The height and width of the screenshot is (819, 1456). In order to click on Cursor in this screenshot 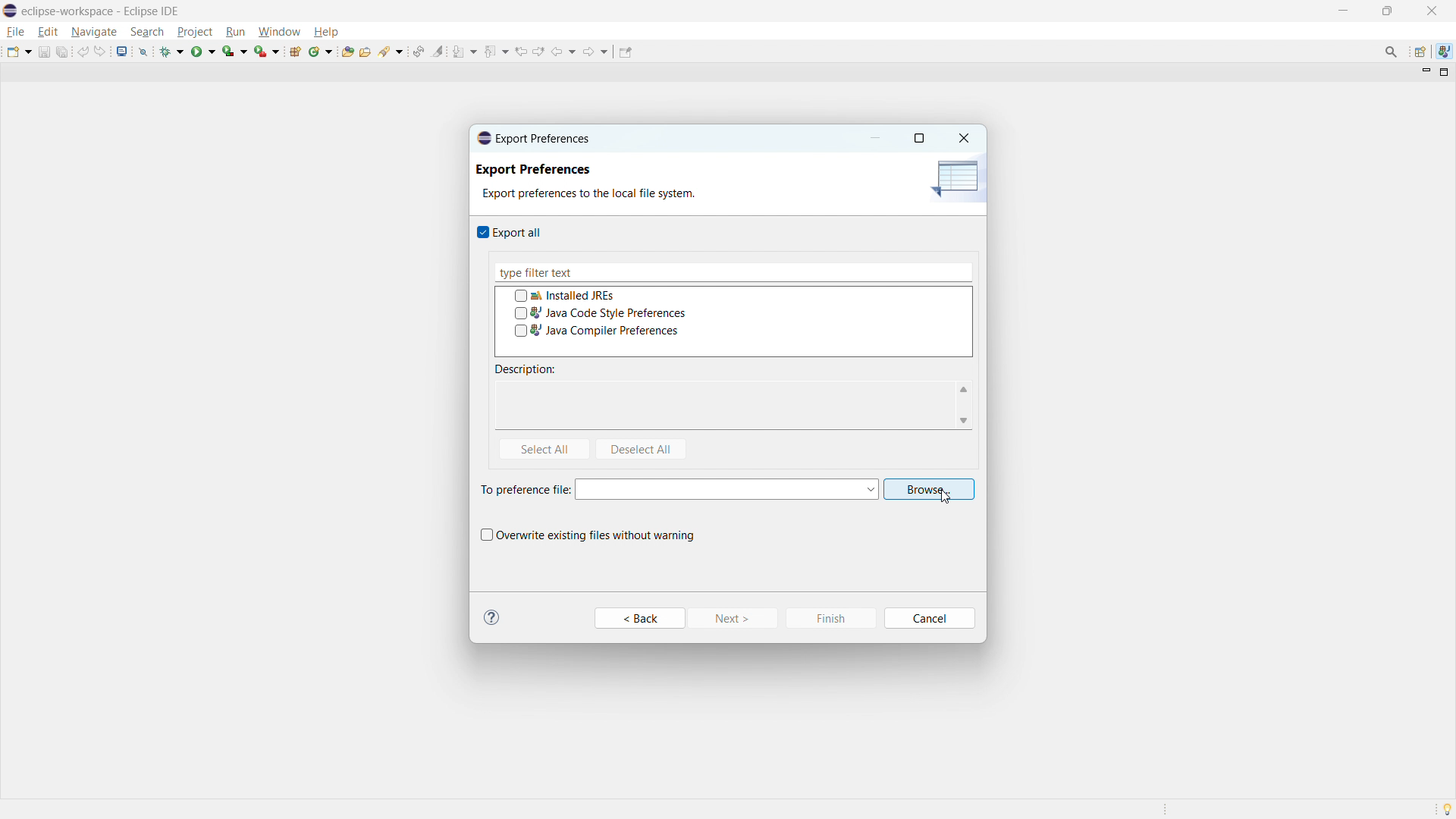, I will do `click(954, 499)`.